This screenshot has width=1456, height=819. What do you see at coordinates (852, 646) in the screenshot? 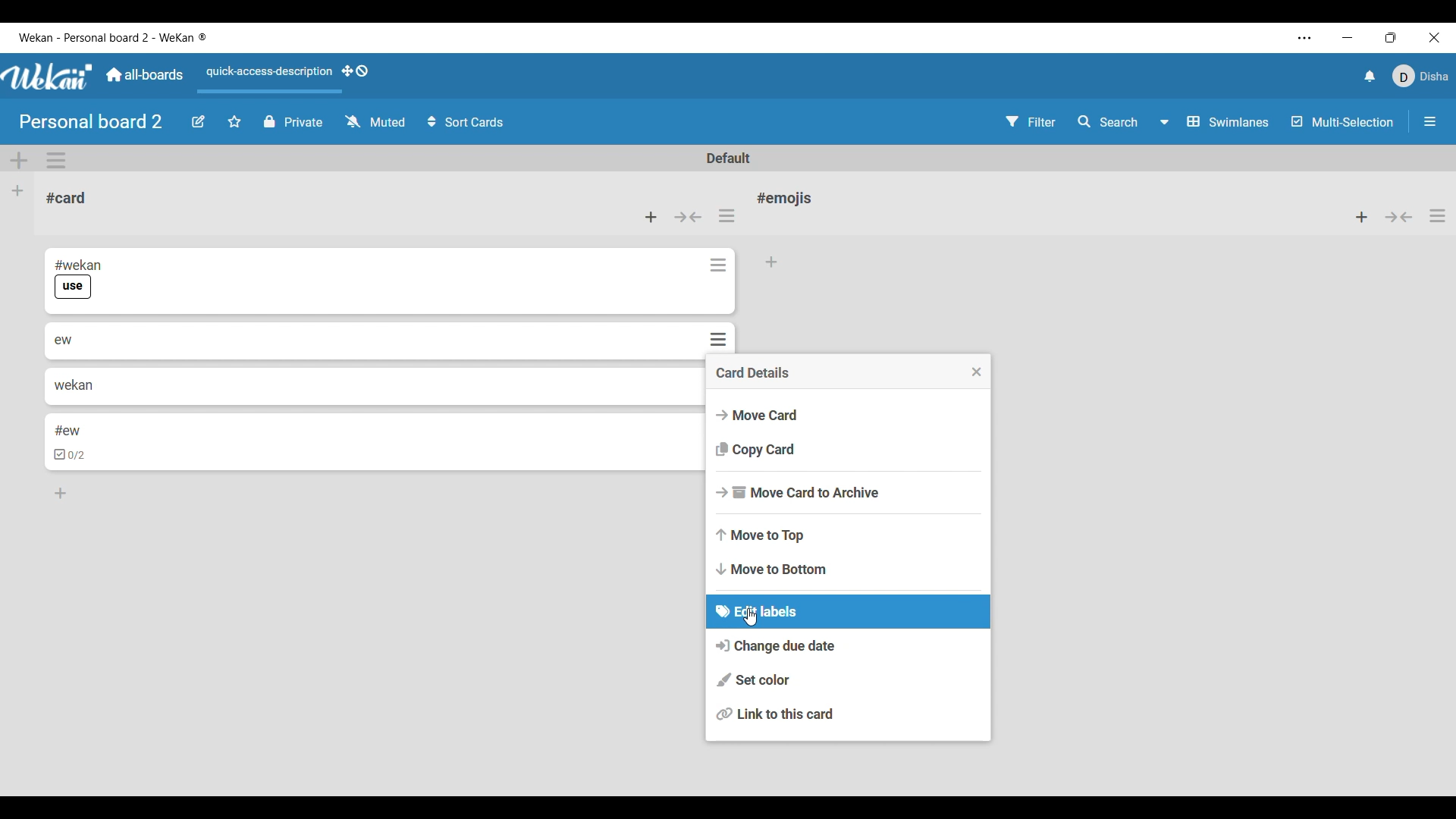
I see `Change due date` at bounding box center [852, 646].